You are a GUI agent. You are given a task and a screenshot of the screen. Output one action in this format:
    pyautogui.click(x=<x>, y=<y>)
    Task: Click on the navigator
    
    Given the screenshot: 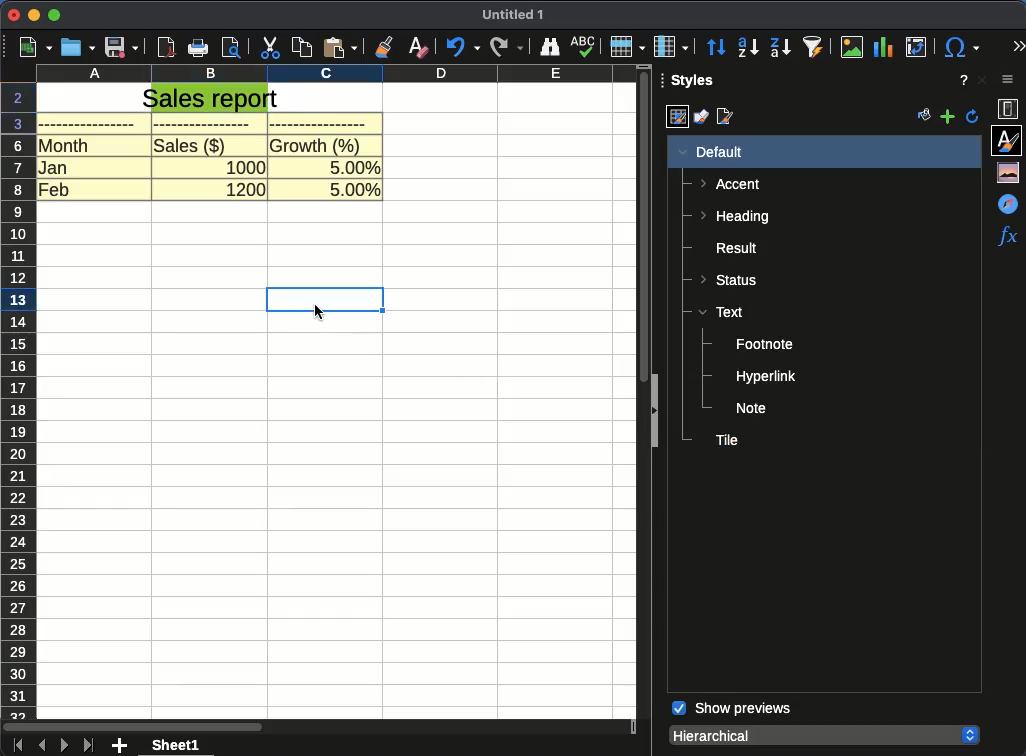 What is the action you would take?
    pyautogui.click(x=1011, y=203)
    